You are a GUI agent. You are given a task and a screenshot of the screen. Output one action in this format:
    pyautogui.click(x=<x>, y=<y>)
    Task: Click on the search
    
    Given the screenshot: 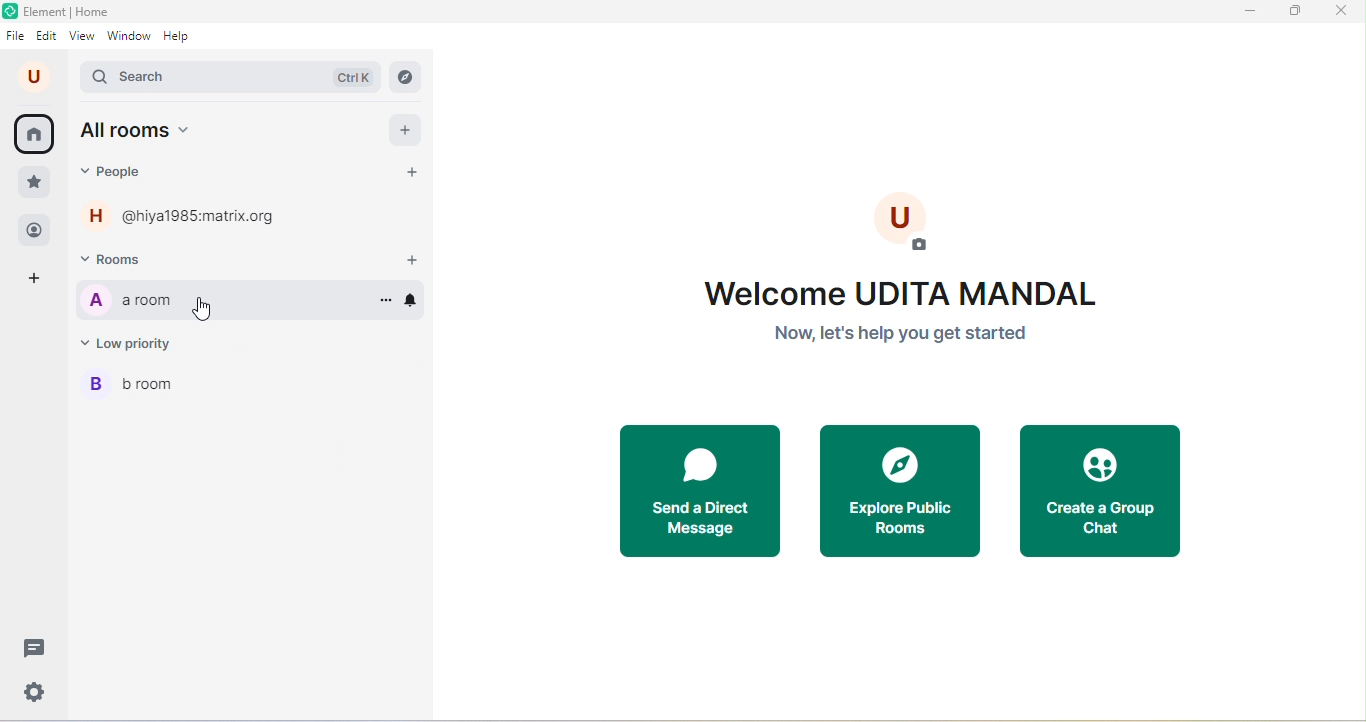 What is the action you would take?
    pyautogui.click(x=230, y=79)
    